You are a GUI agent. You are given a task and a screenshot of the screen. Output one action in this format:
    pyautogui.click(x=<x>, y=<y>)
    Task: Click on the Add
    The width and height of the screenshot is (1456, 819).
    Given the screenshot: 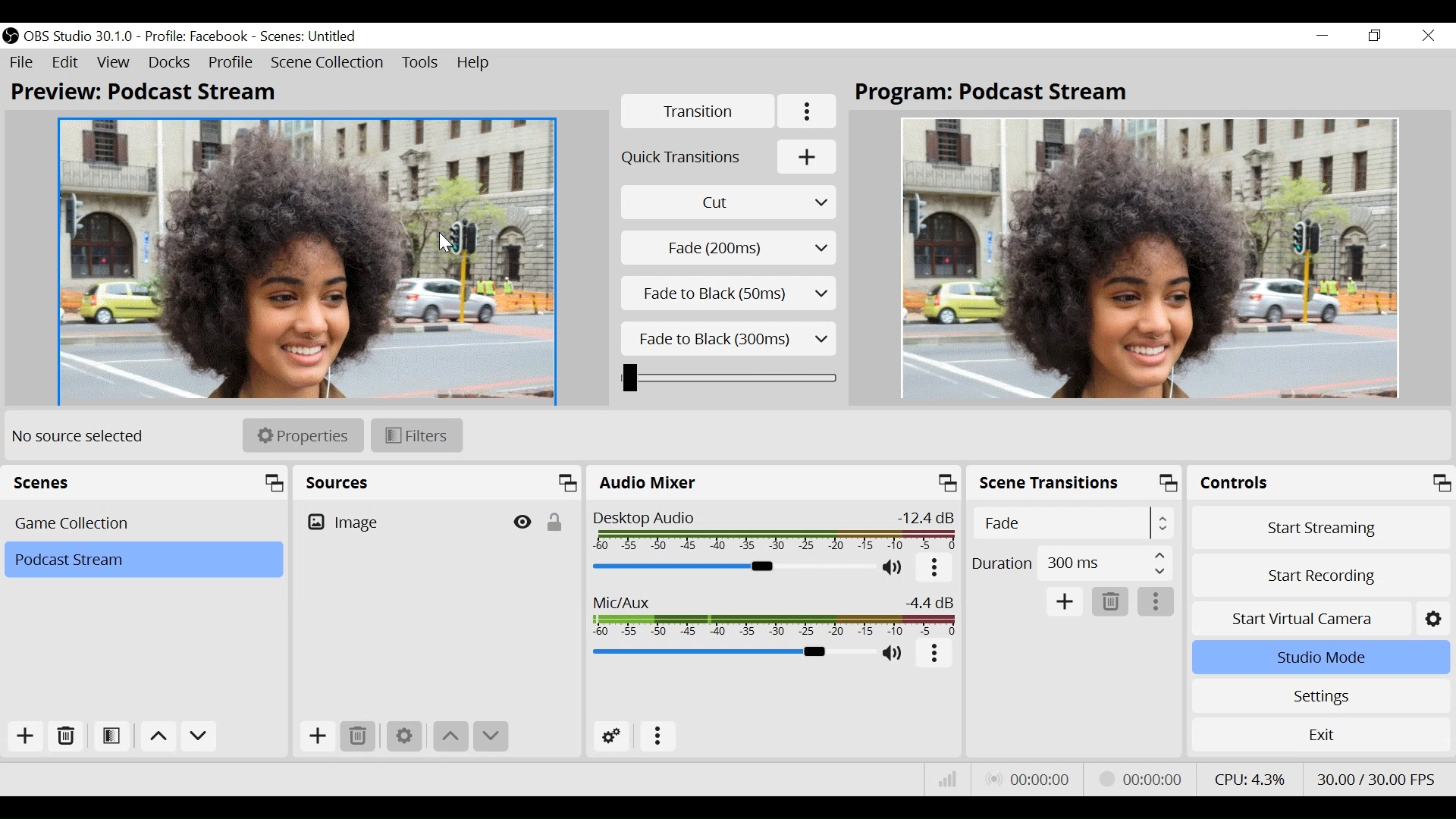 What is the action you would take?
    pyautogui.click(x=1063, y=601)
    